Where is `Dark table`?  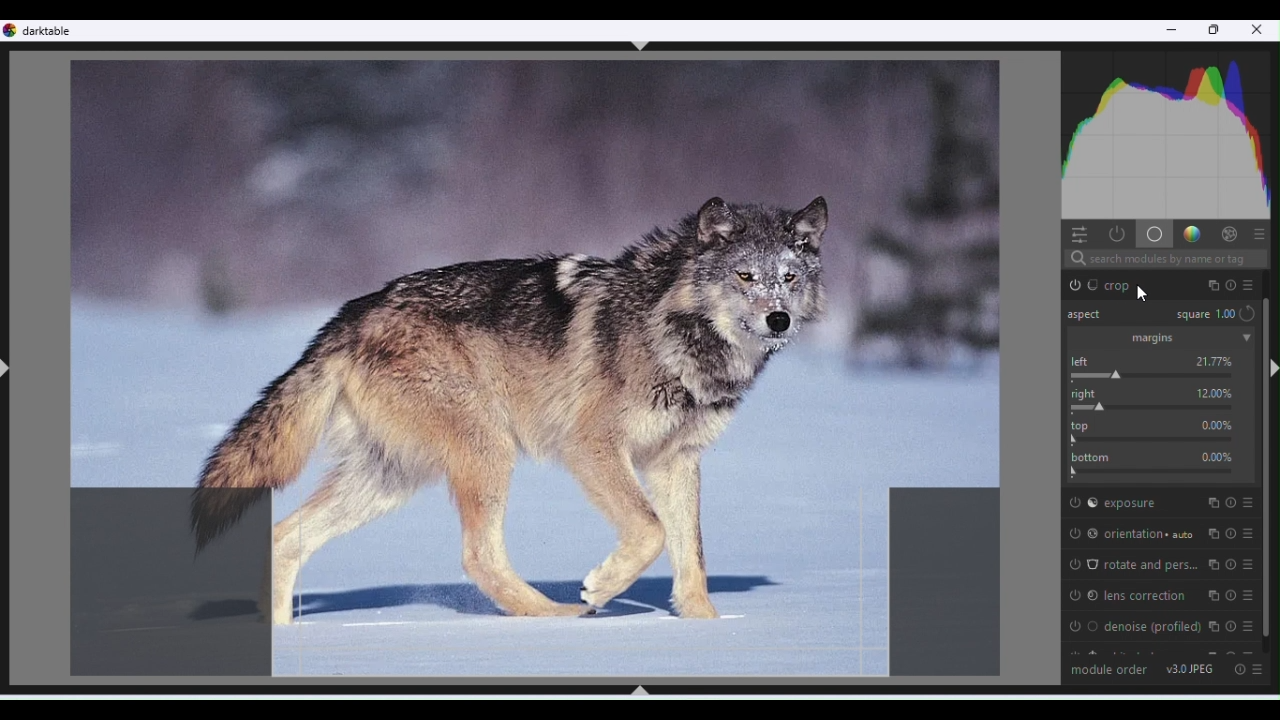 Dark table is located at coordinates (51, 30).